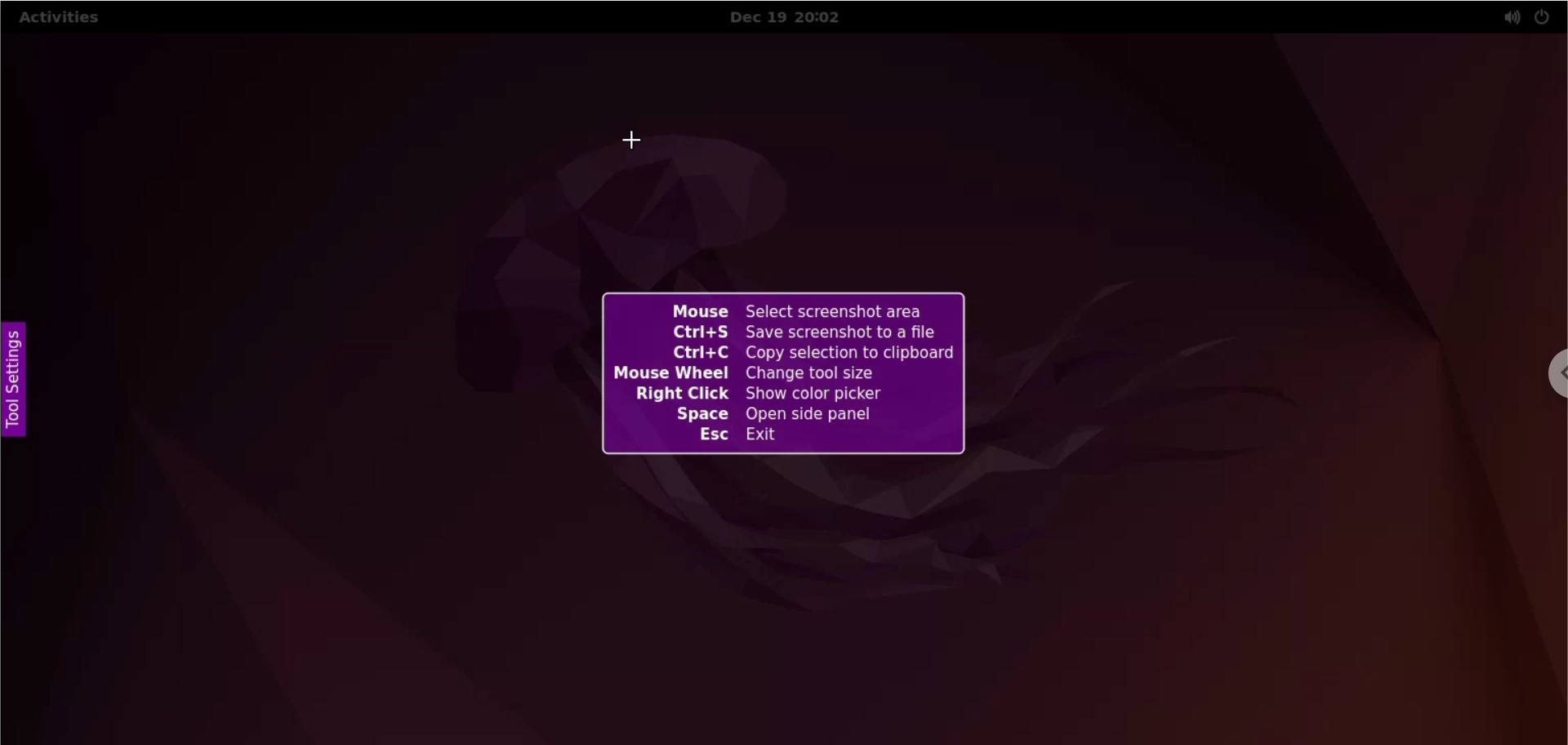 Image resolution: width=1568 pixels, height=745 pixels. Describe the element at coordinates (787, 372) in the screenshot. I see `Mouse Select screenshot area Ctrl+S Save screenshot to a file Ctrl+C Copy selection to clipboard Mouse Wheel Change tool size Right Click Show color picker Space Open side panel Esc Exit` at that location.